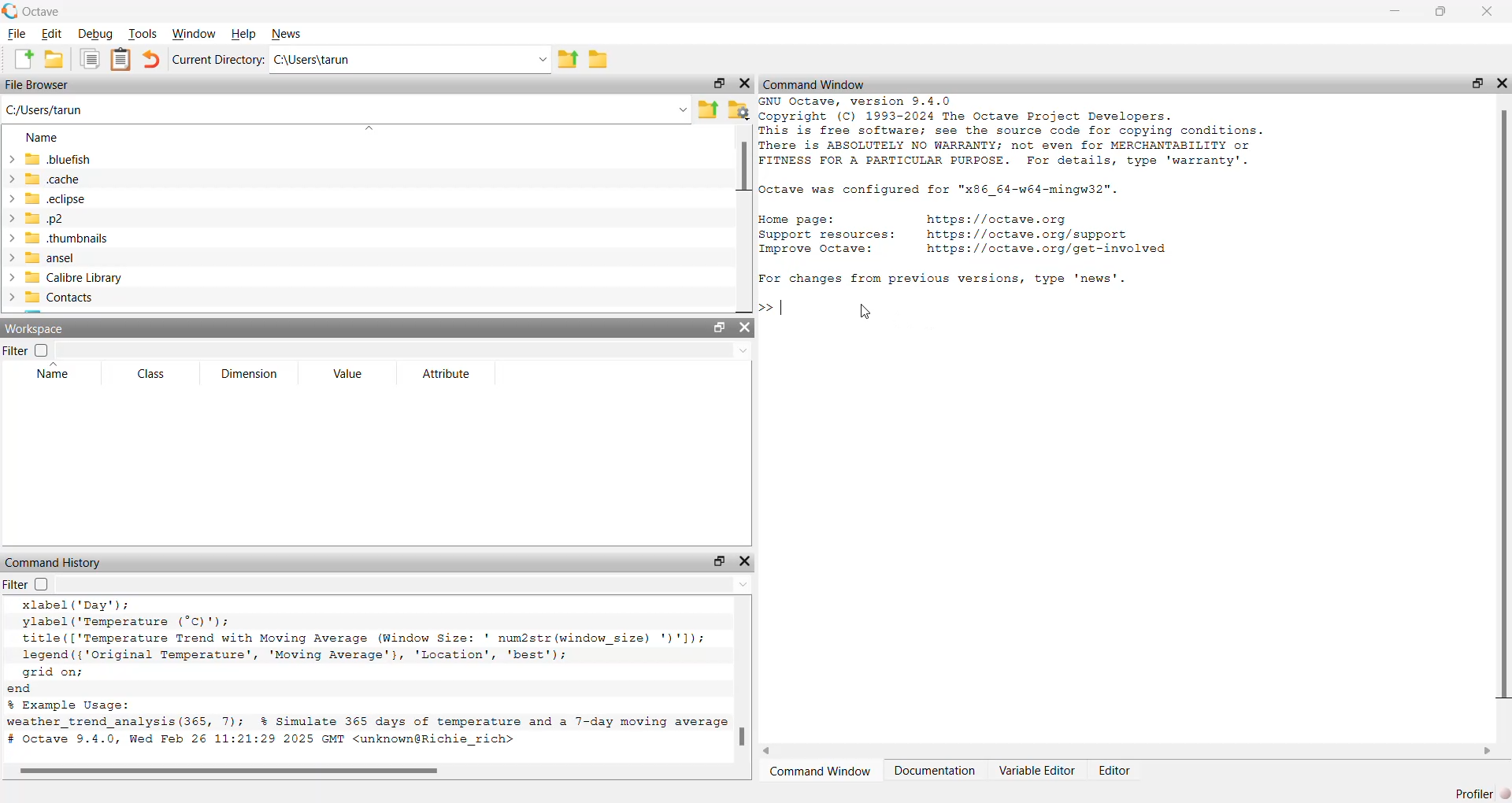  Describe the element at coordinates (54, 58) in the screenshot. I see `save as` at that location.